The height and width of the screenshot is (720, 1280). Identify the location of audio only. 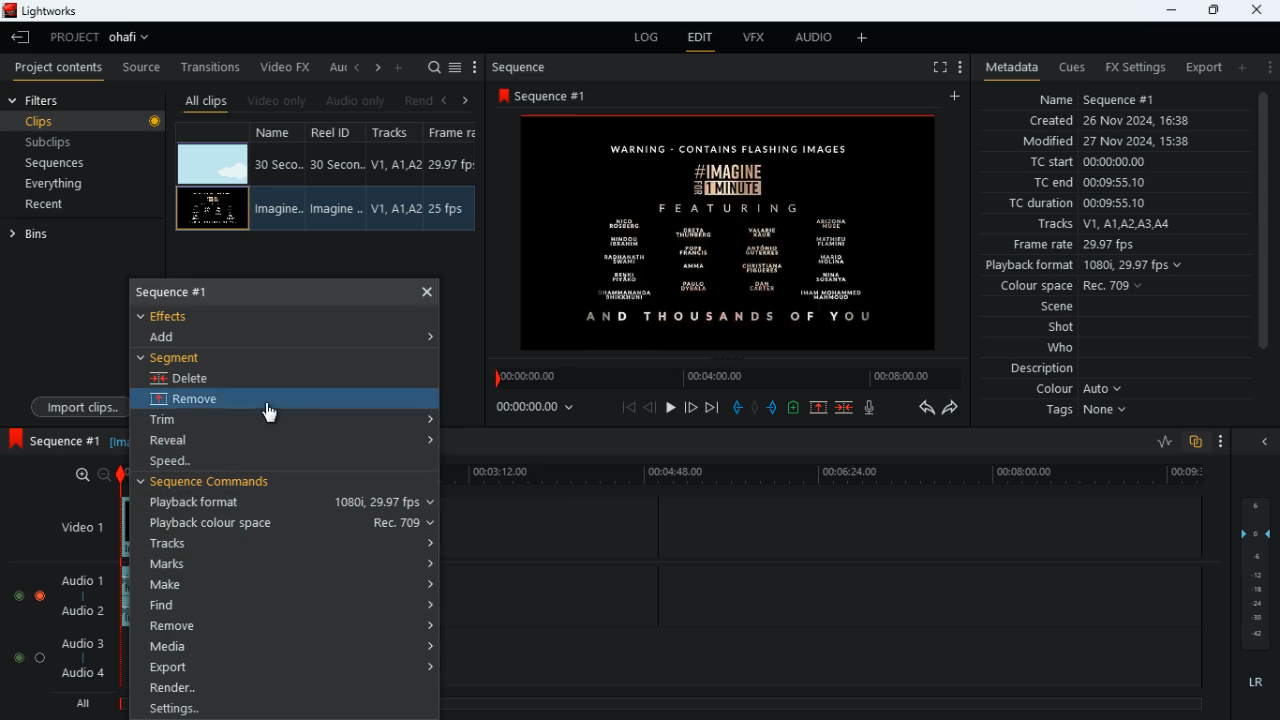
(358, 99).